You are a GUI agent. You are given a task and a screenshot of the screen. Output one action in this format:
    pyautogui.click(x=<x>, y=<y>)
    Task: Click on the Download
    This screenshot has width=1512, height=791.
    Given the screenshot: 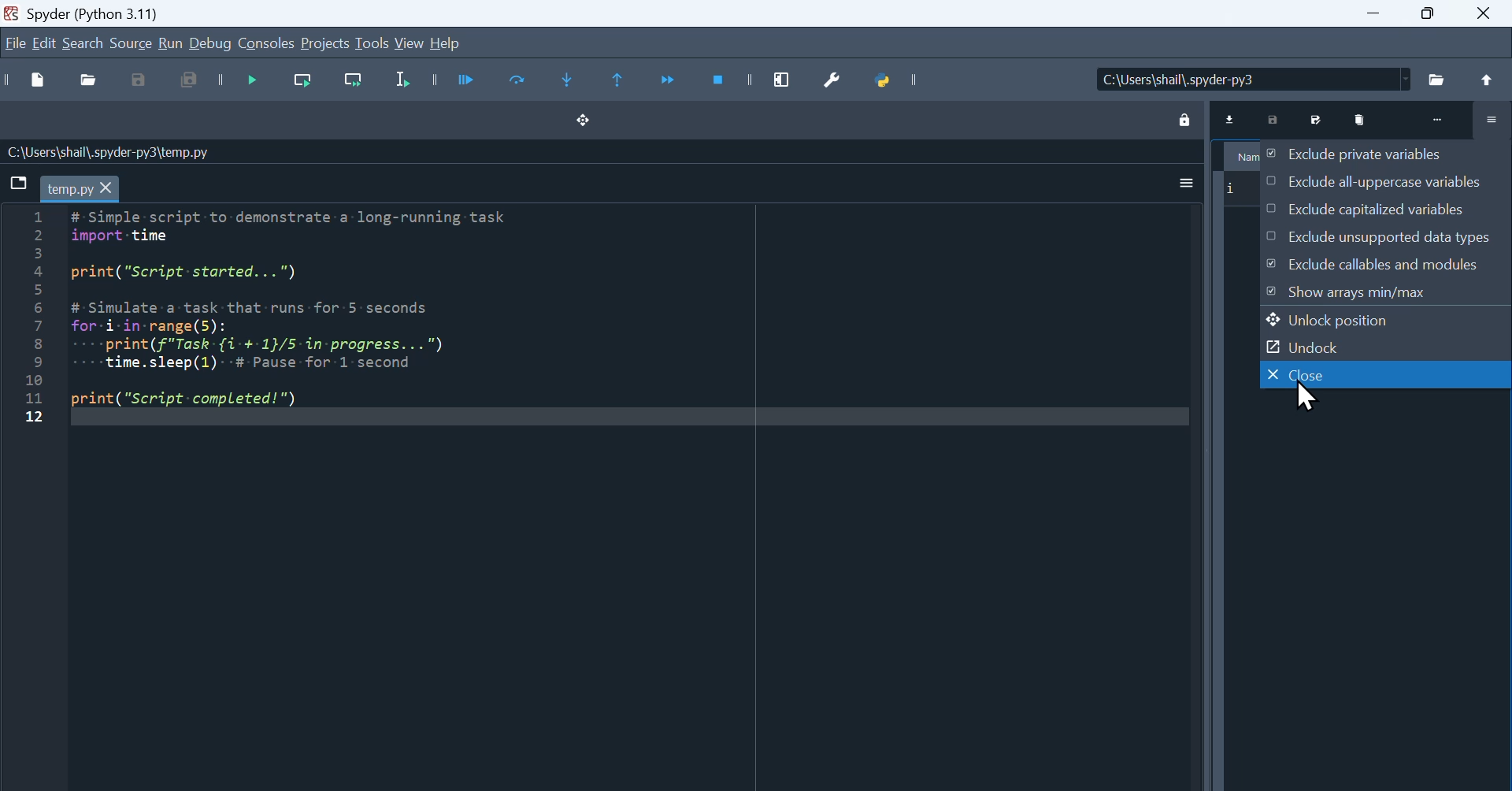 What is the action you would take?
    pyautogui.click(x=1231, y=117)
    